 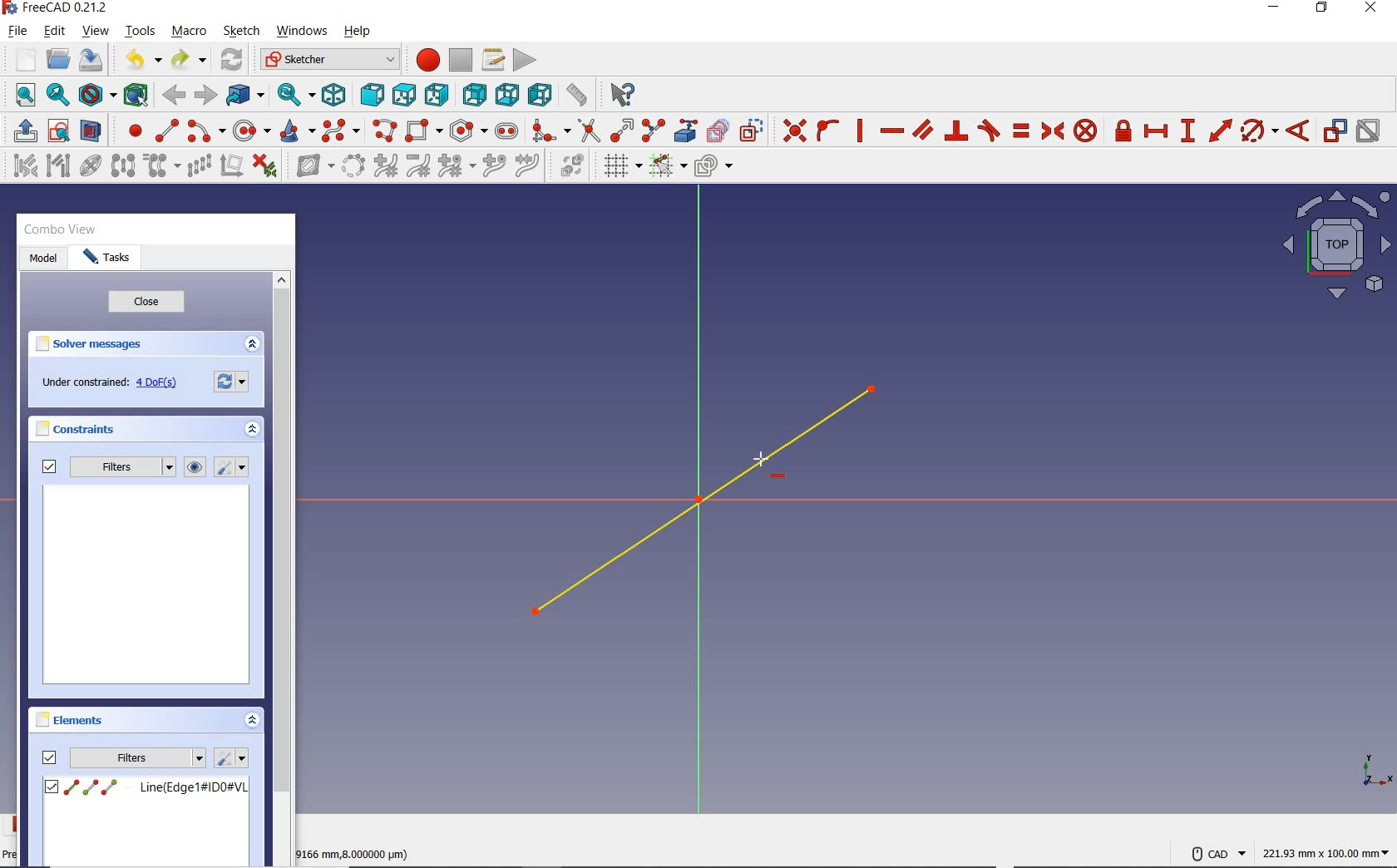 I want to click on MINIMIZE, so click(x=1278, y=8).